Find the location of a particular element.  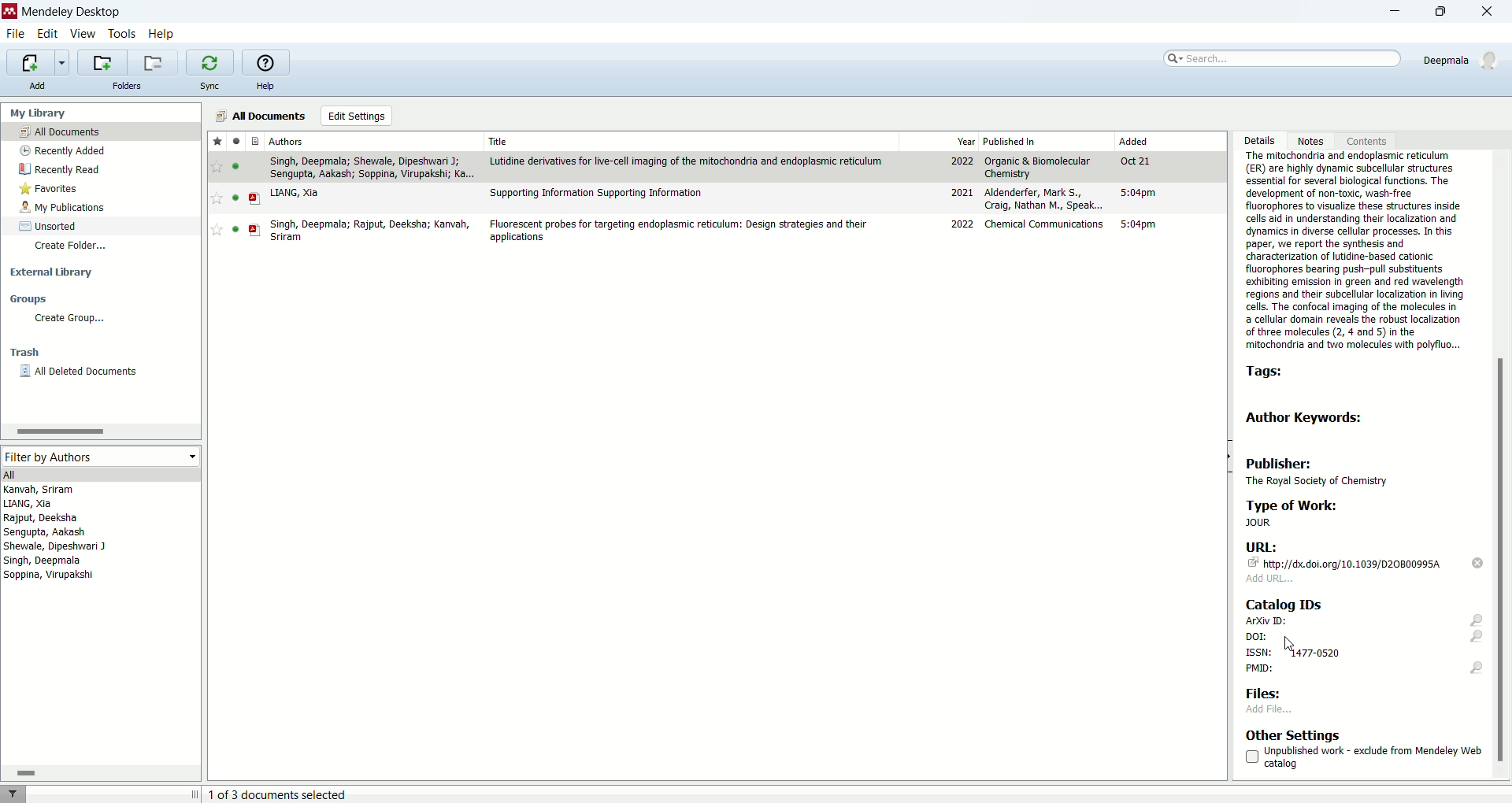

edit settings is located at coordinates (358, 116).